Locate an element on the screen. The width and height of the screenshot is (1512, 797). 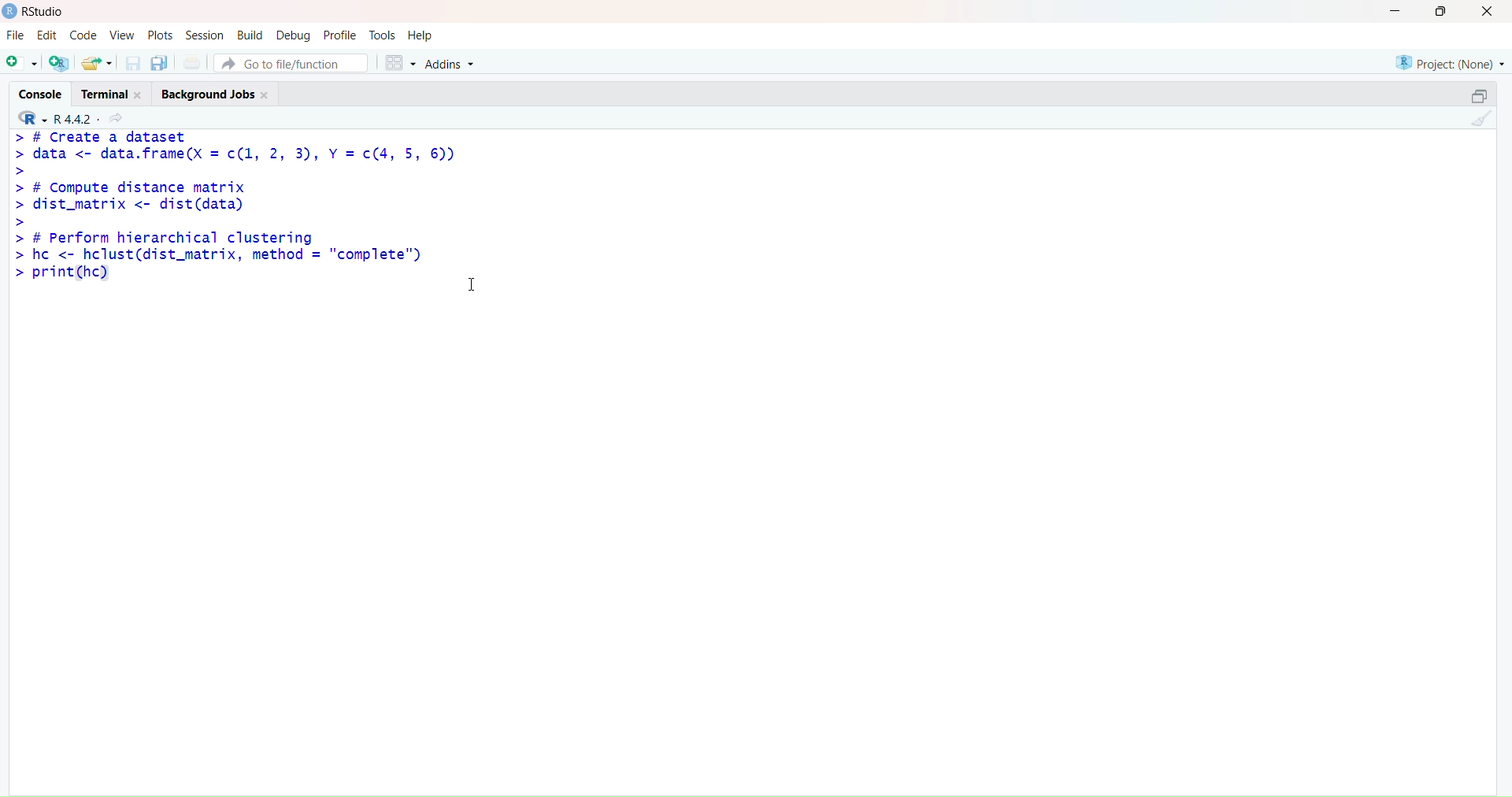
Tools is located at coordinates (380, 36).